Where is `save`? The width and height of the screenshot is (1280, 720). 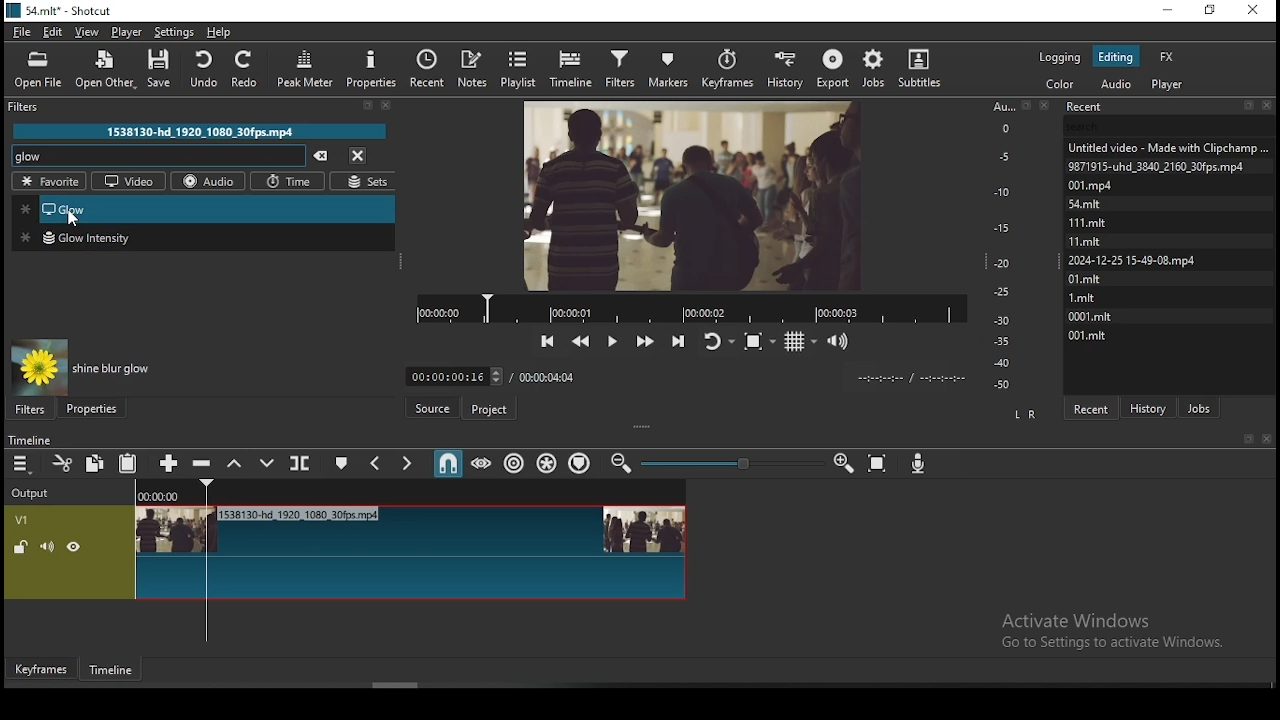
save is located at coordinates (165, 72).